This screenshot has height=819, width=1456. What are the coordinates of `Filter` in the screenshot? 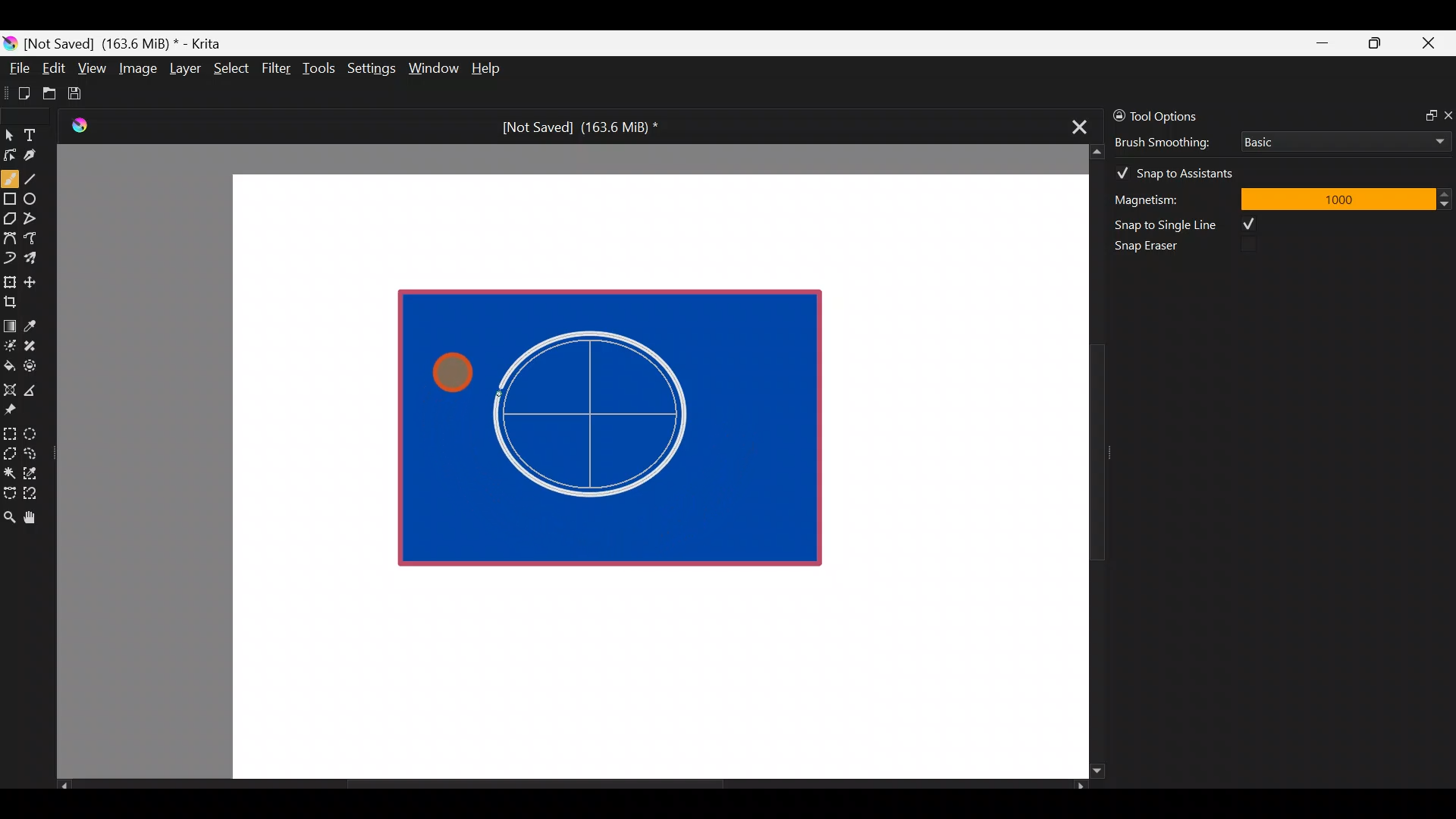 It's located at (277, 67).